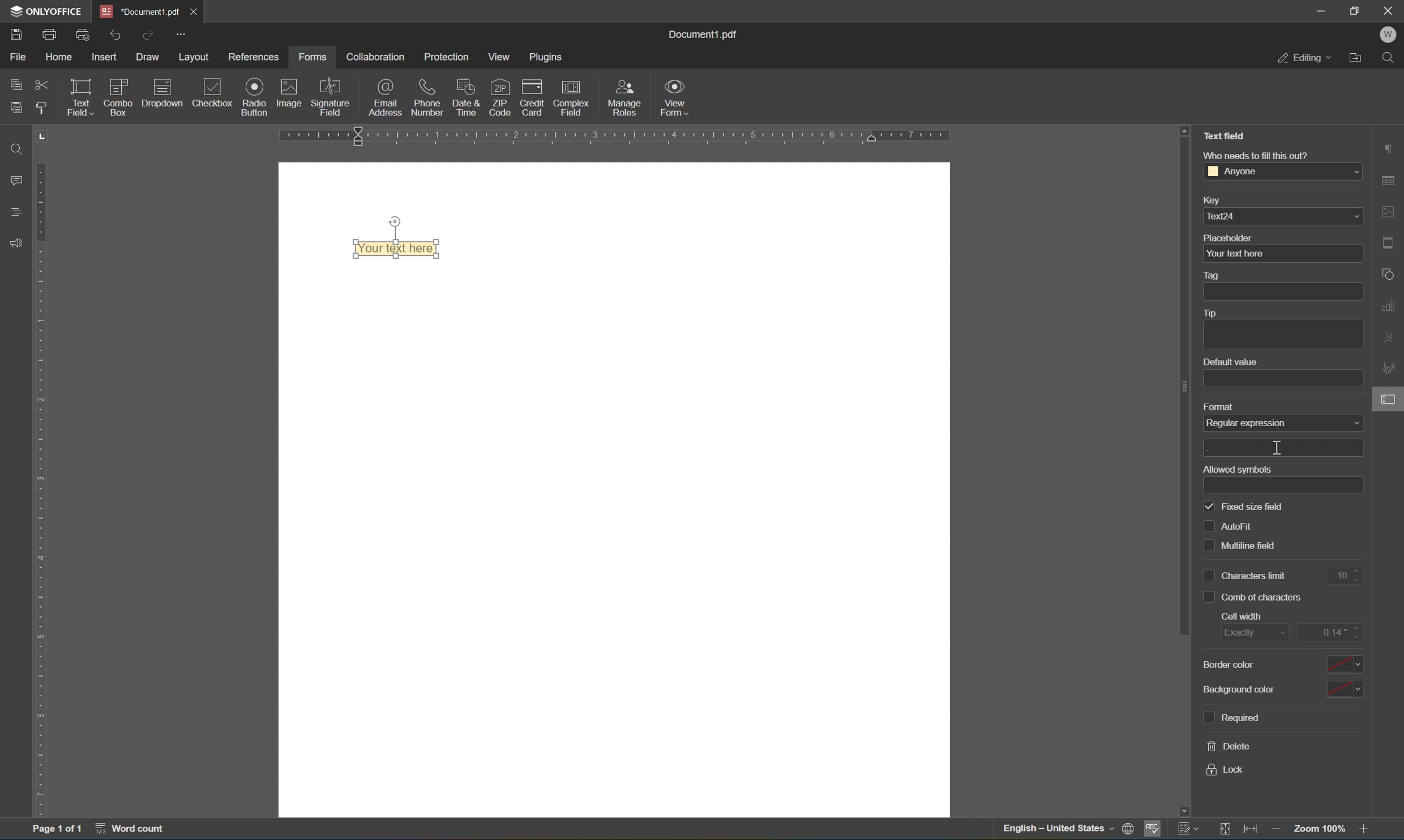 This screenshot has height=840, width=1404. Describe the element at coordinates (40, 108) in the screenshot. I see `copy style` at that location.